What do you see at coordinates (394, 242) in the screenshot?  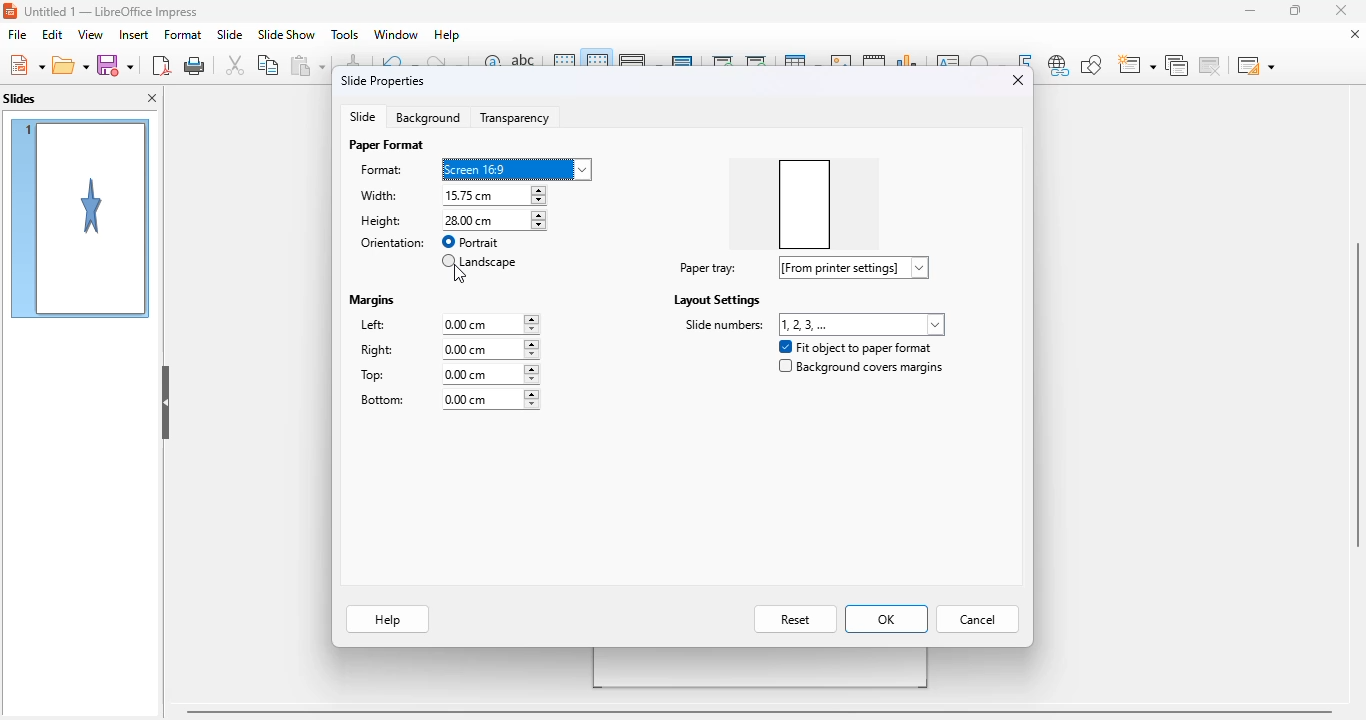 I see `orientation:` at bounding box center [394, 242].